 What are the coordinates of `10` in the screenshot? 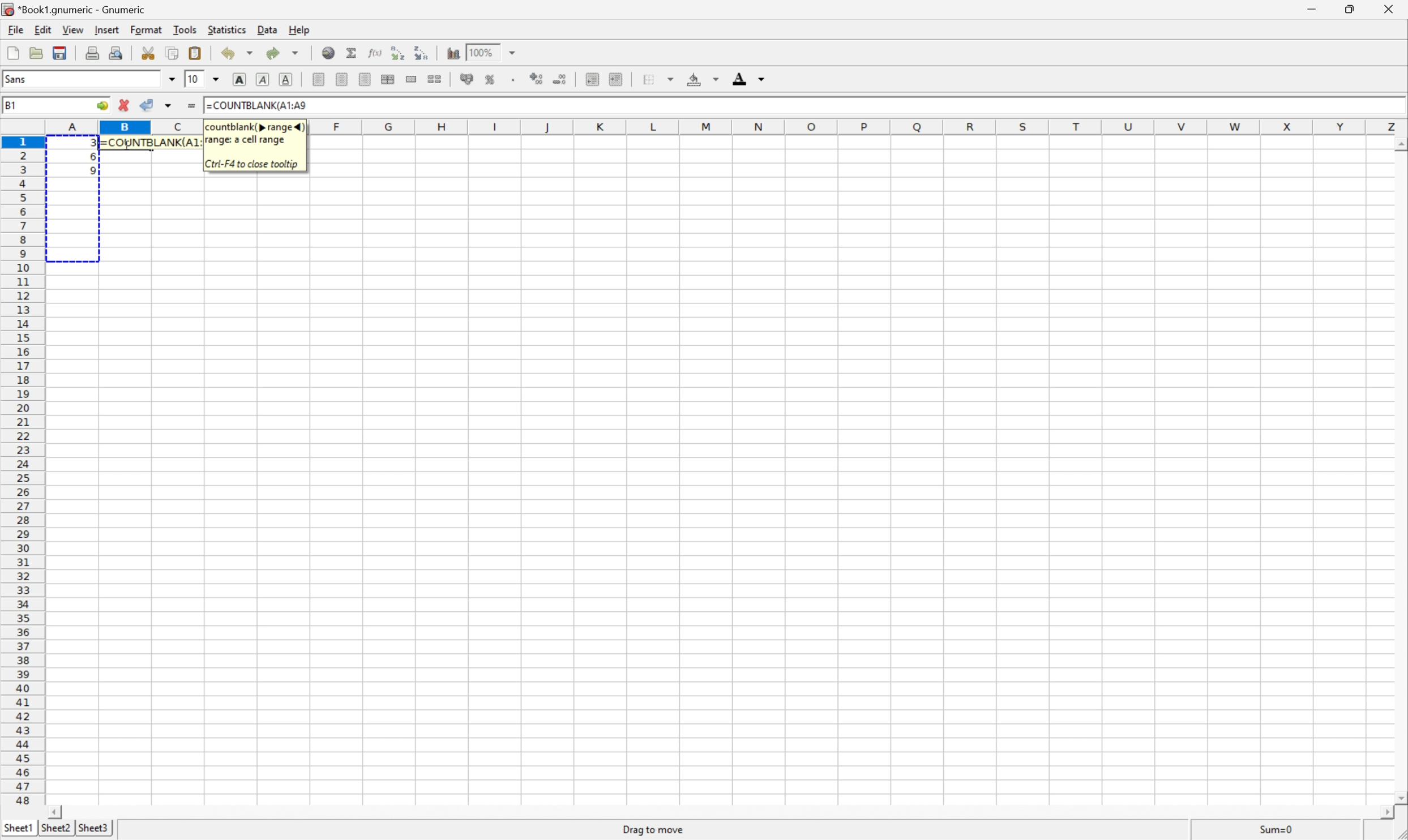 It's located at (194, 80).